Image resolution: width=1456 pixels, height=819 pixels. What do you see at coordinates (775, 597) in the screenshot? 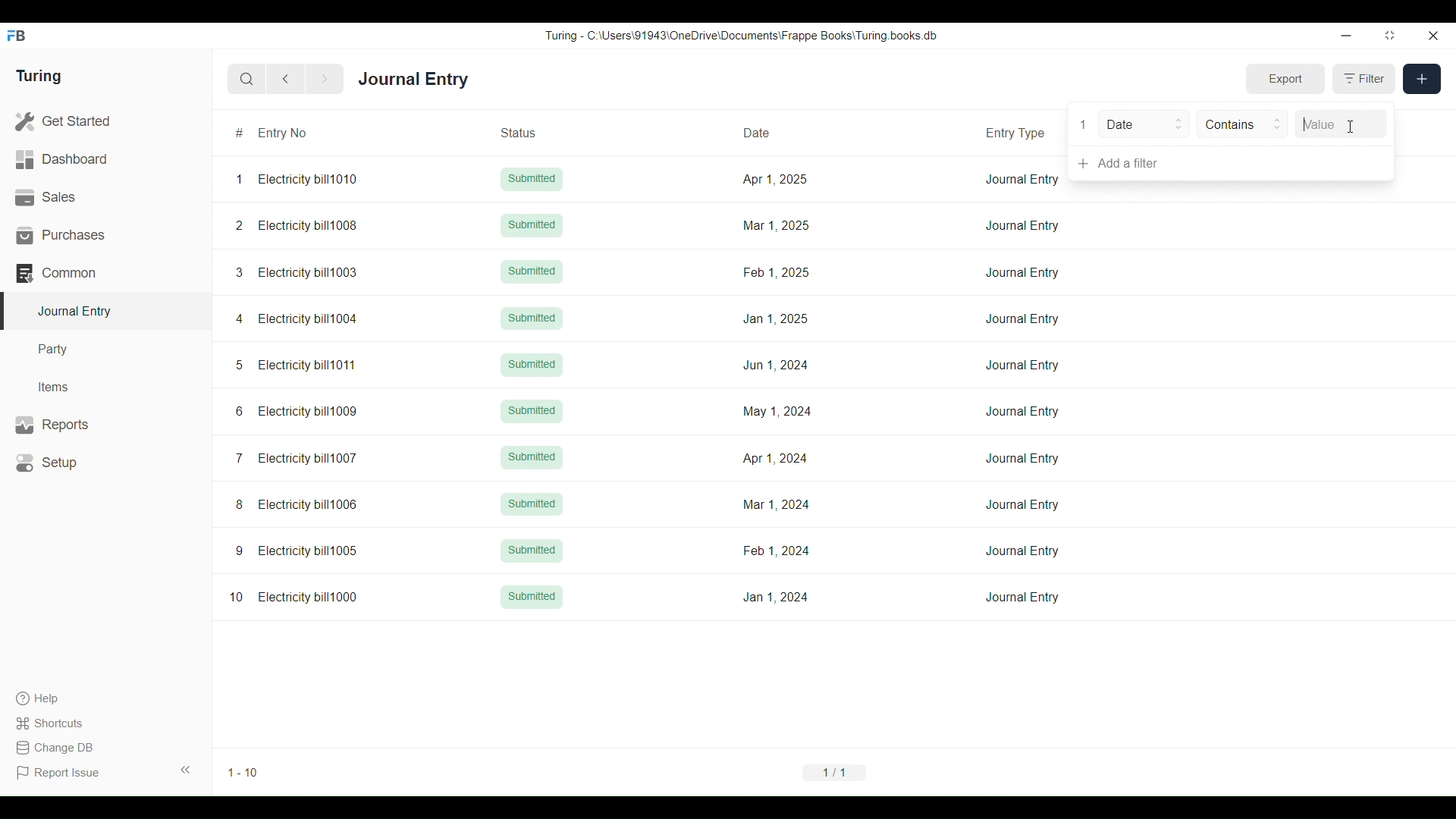
I see `Jan 1, 2024` at bounding box center [775, 597].